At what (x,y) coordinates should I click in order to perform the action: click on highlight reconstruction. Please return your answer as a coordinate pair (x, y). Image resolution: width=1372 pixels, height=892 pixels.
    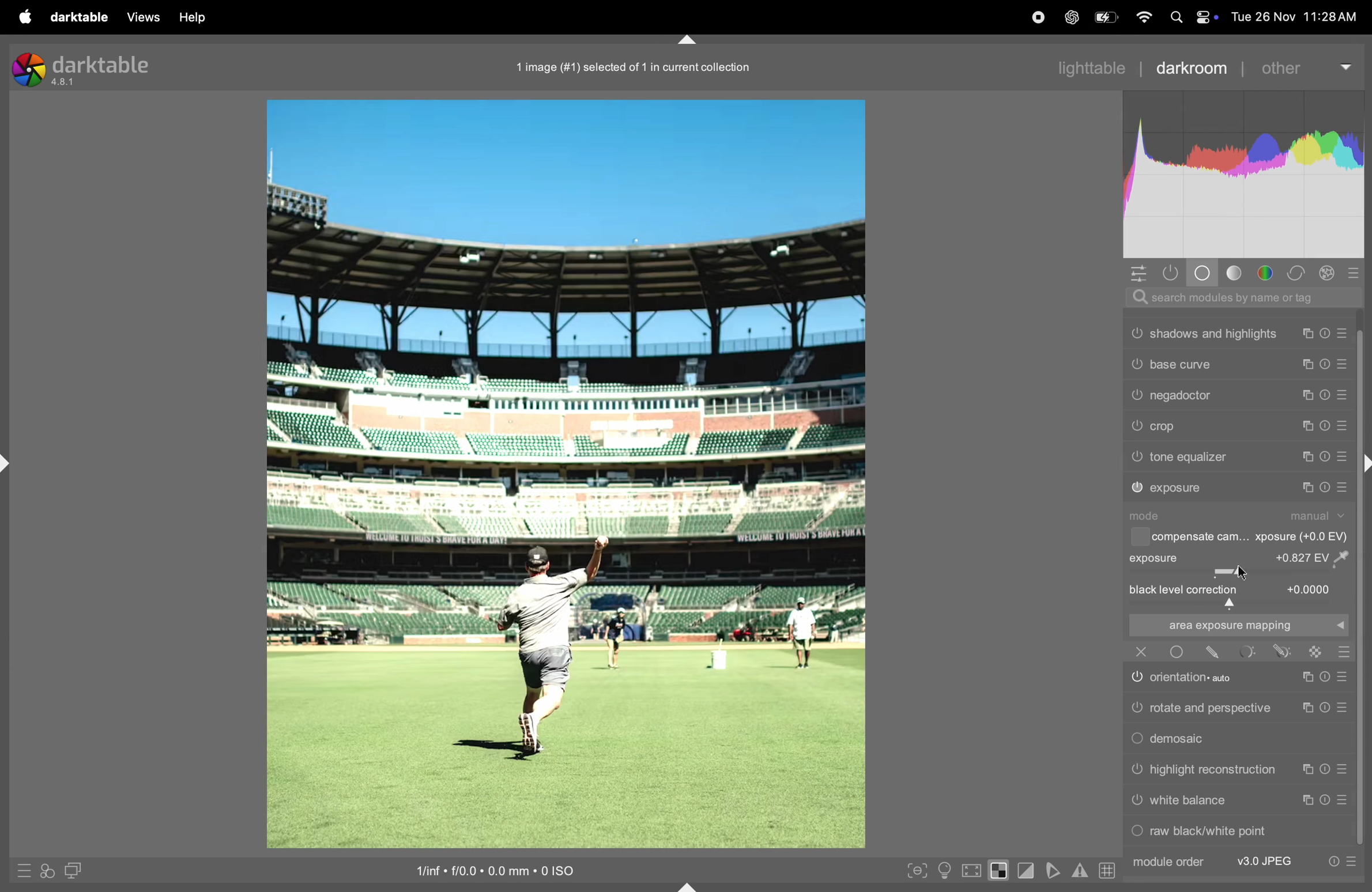
    Looking at the image, I should click on (1215, 770).